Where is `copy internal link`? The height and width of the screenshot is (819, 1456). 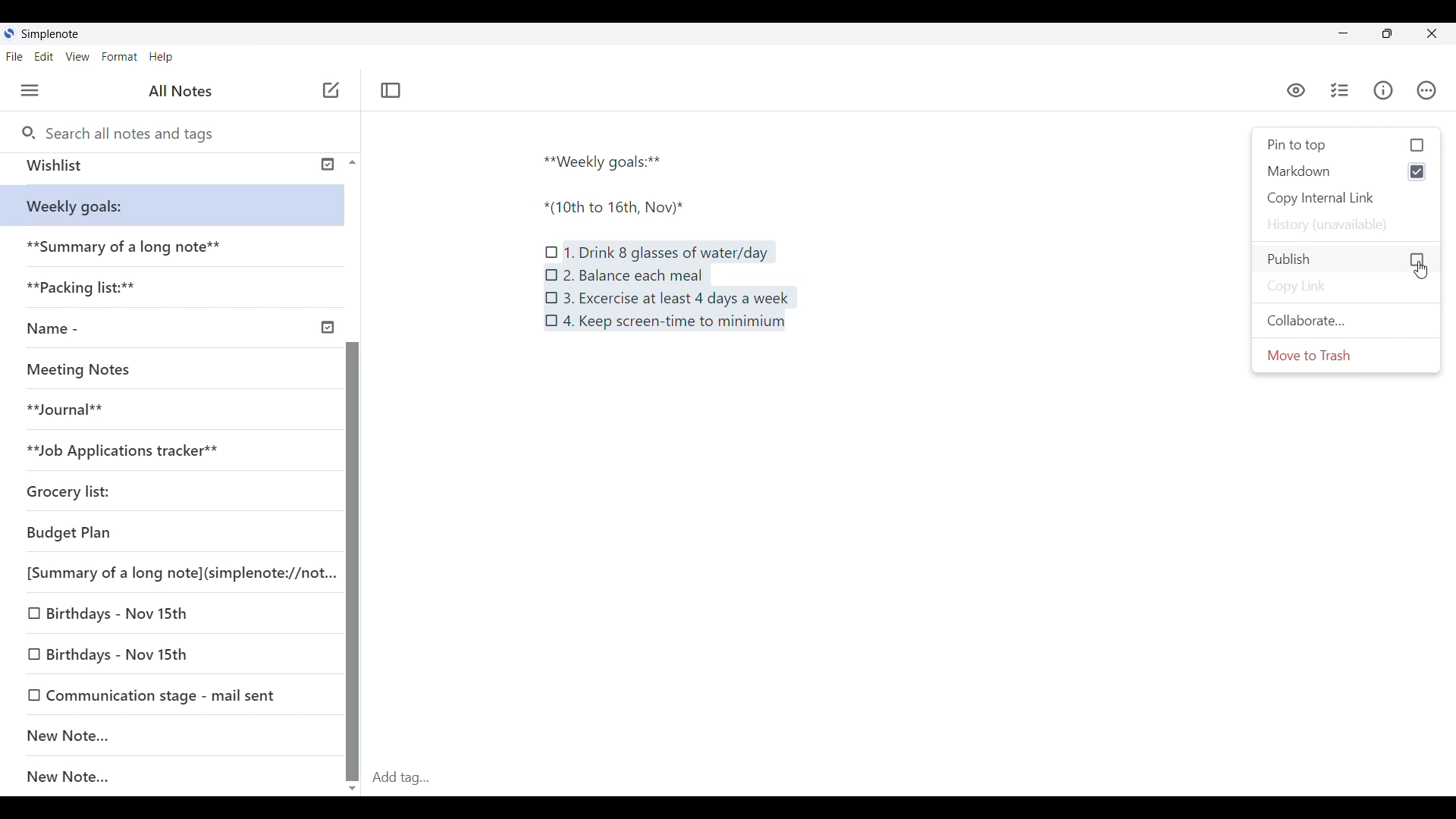 copy internal link is located at coordinates (1323, 199).